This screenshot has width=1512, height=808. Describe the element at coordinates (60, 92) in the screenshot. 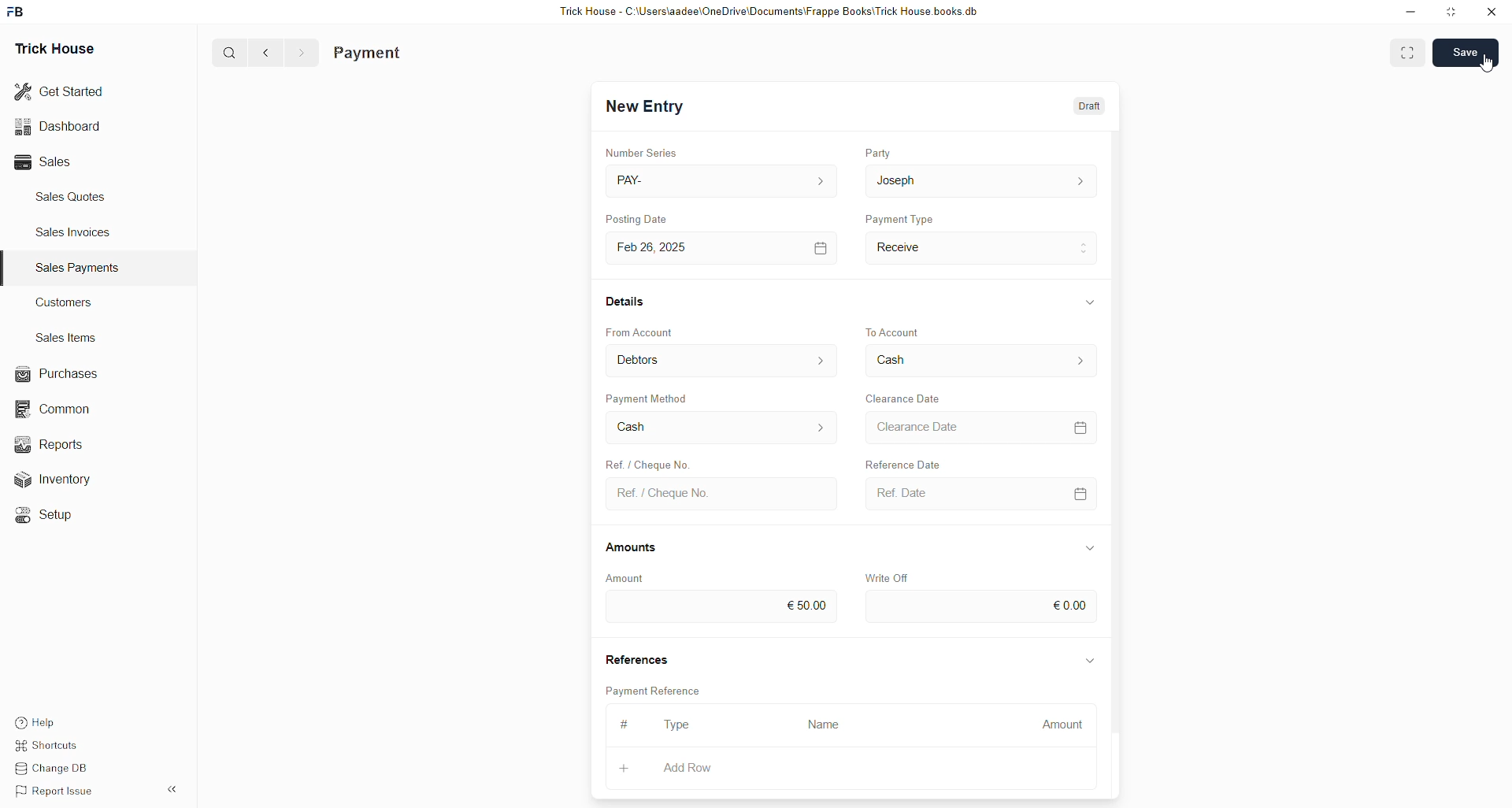

I see `Get Started` at that location.